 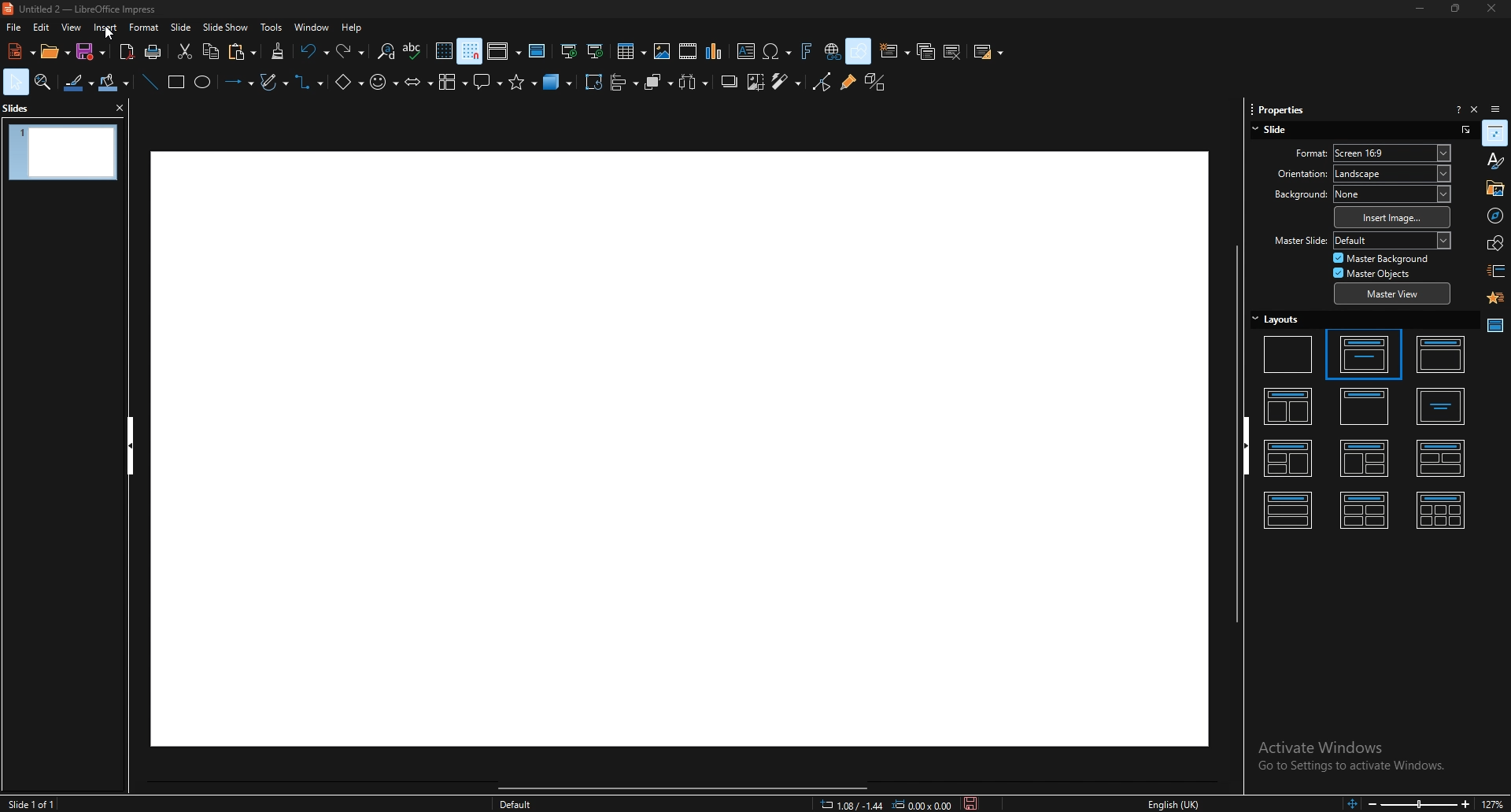 I want to click on delete slide, so click(x=955, y=52).